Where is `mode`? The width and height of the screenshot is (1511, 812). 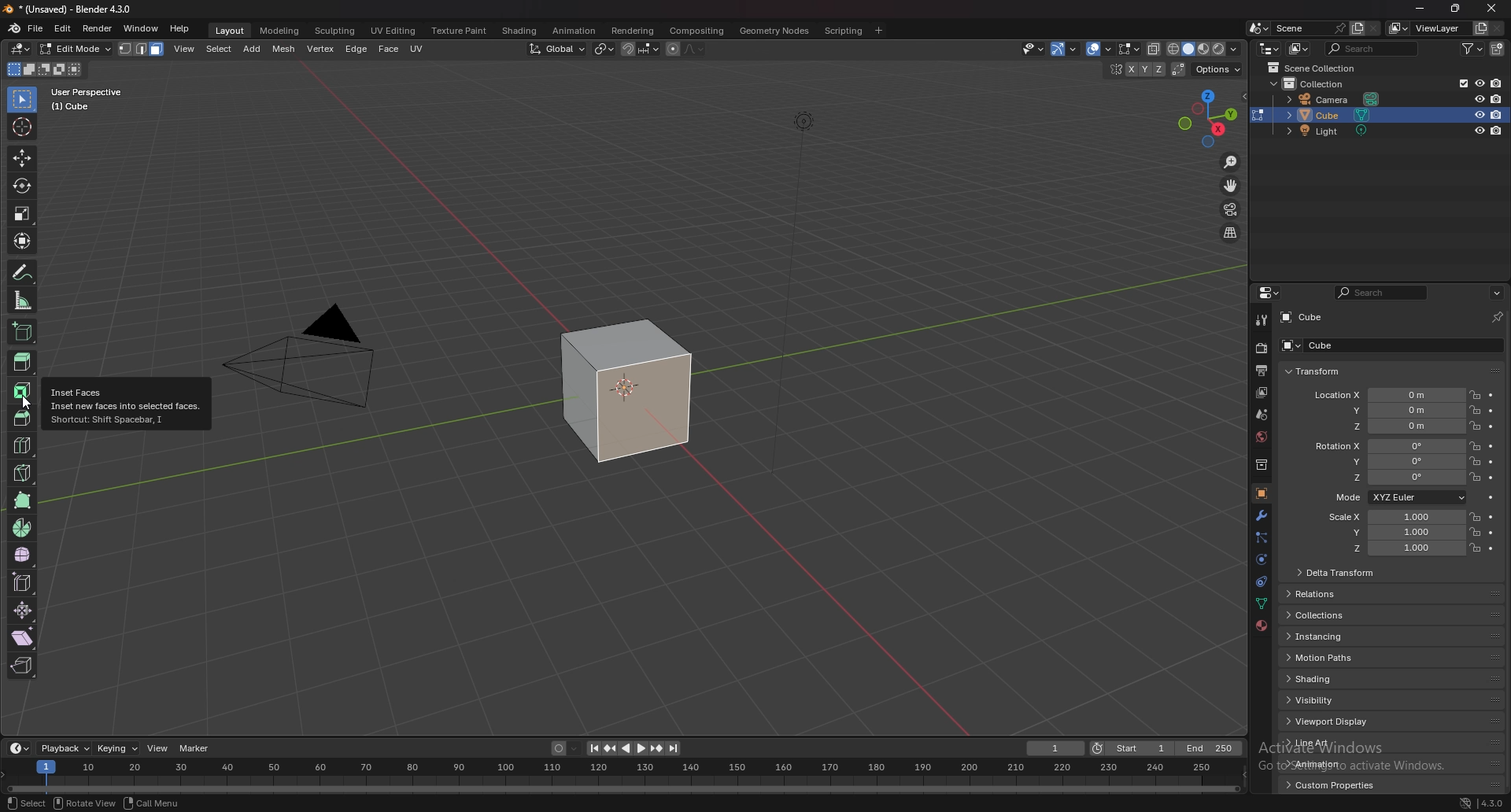 mode is located at coordinates (1398, 496).